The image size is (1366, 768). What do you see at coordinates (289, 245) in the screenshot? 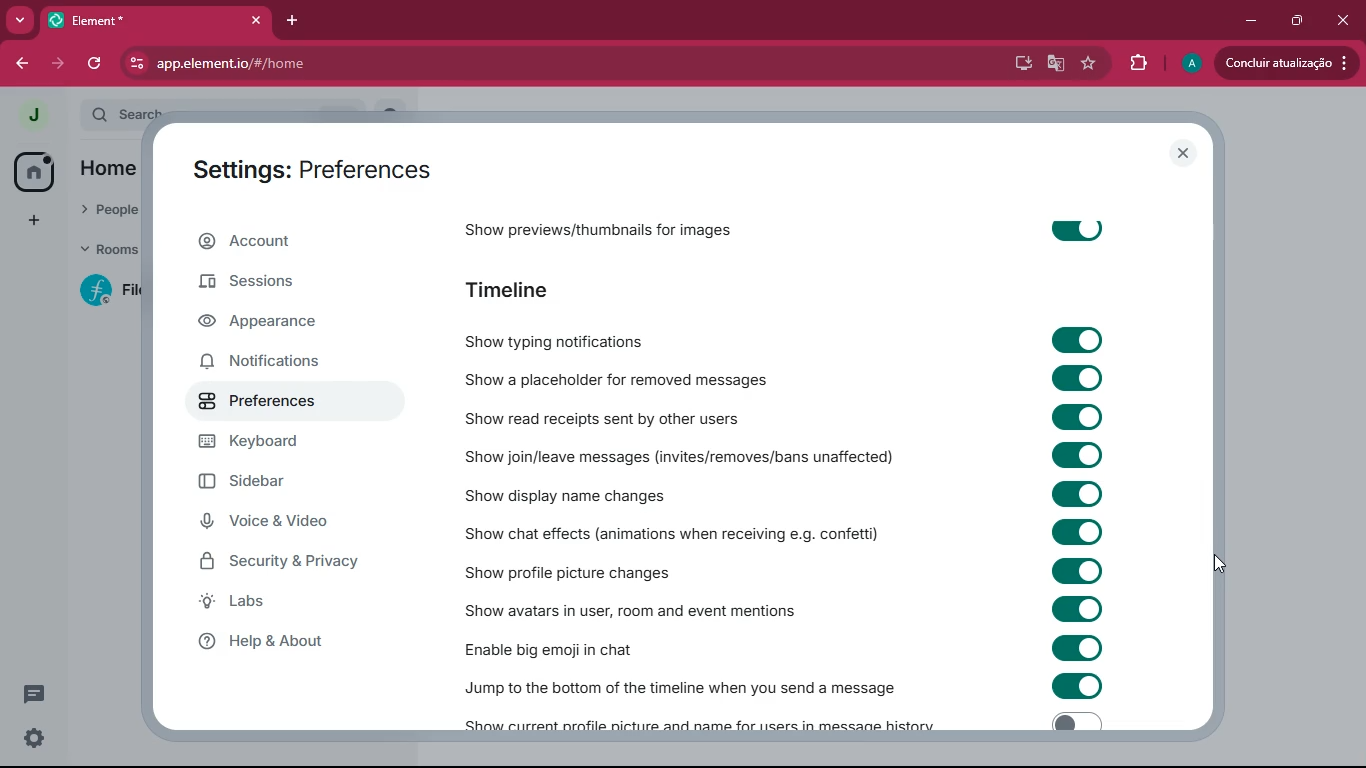
I see `account` at bounding box center [289, 245].